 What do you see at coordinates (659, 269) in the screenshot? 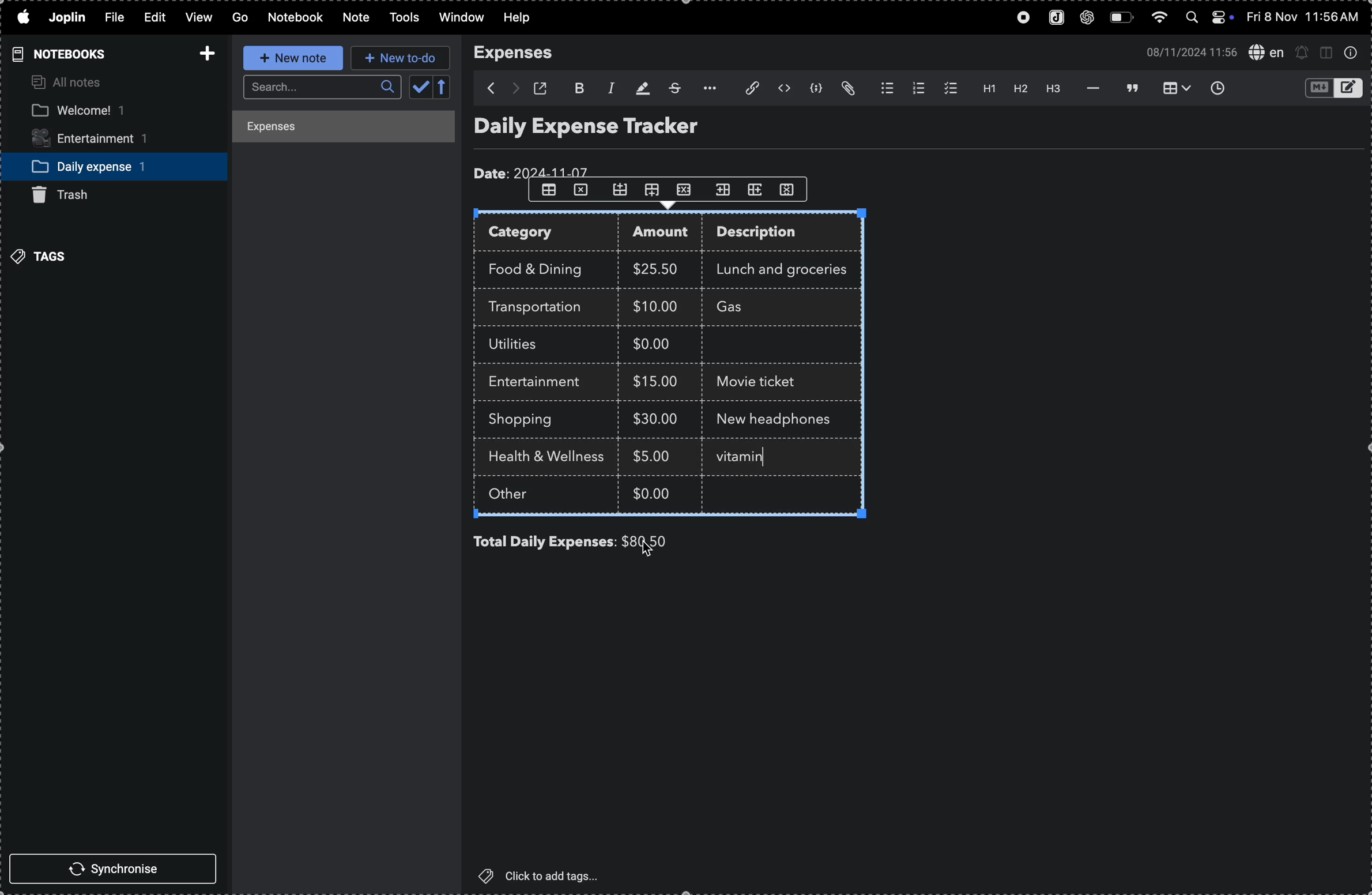
I see `$25.00` at bounding box center [659, 269].